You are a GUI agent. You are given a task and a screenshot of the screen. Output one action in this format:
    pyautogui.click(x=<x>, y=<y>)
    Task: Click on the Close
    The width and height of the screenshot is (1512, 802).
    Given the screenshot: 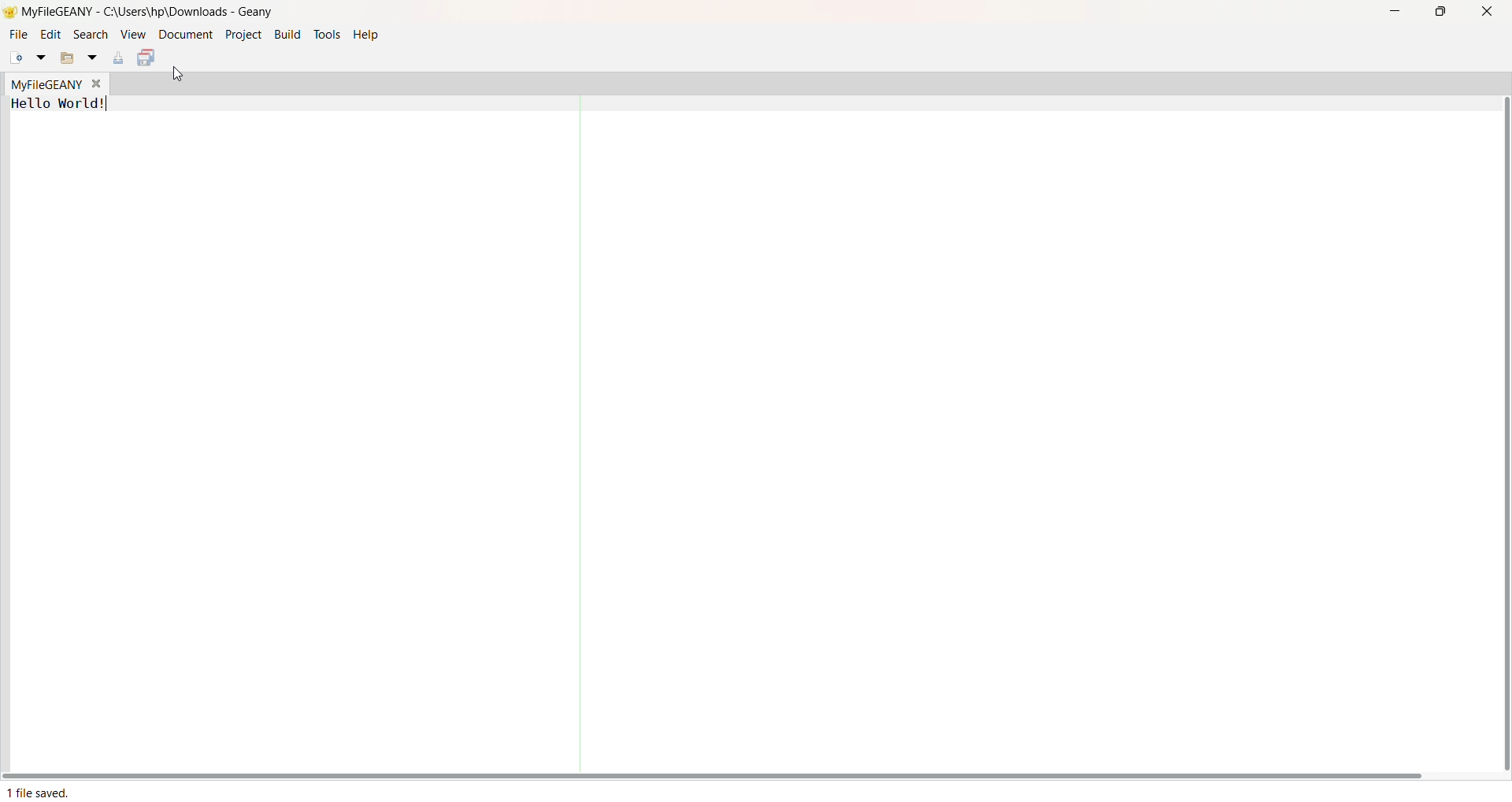 What is the action you would take?
    pyautogui.click(x=1488, y=10)
    